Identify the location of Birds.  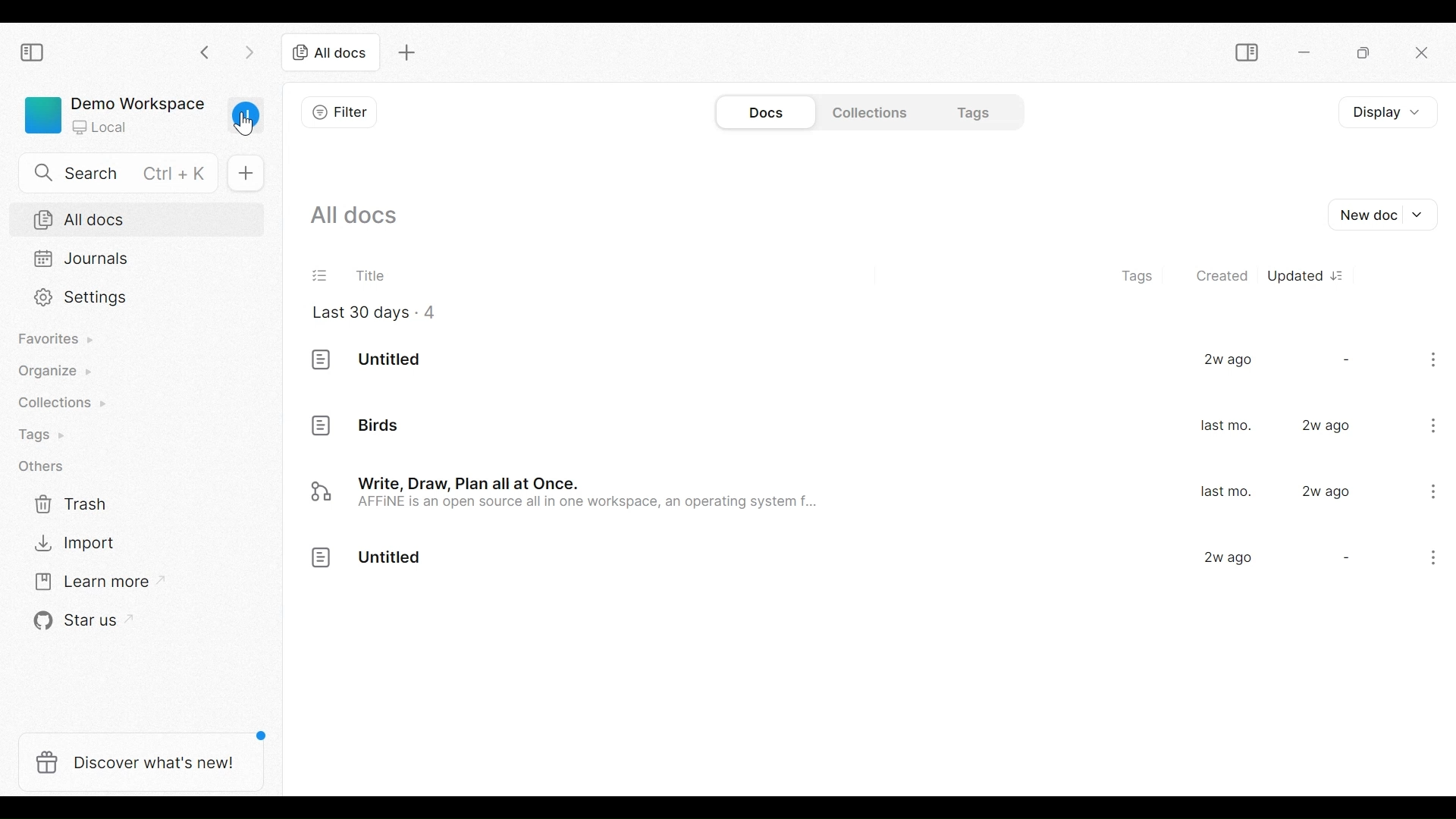
(381, 426).